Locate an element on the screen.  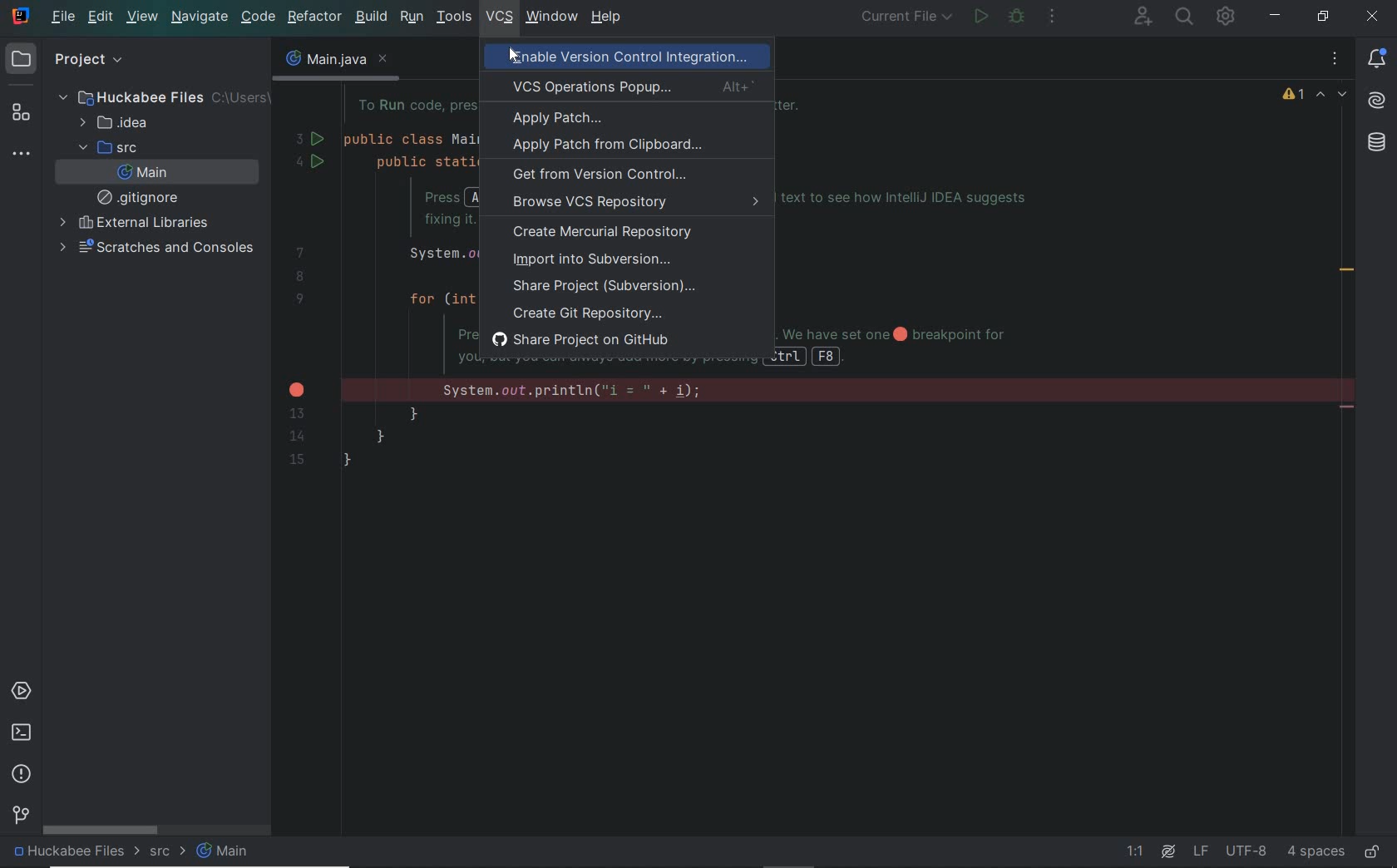
main.java is located at coordinates (334, 63).